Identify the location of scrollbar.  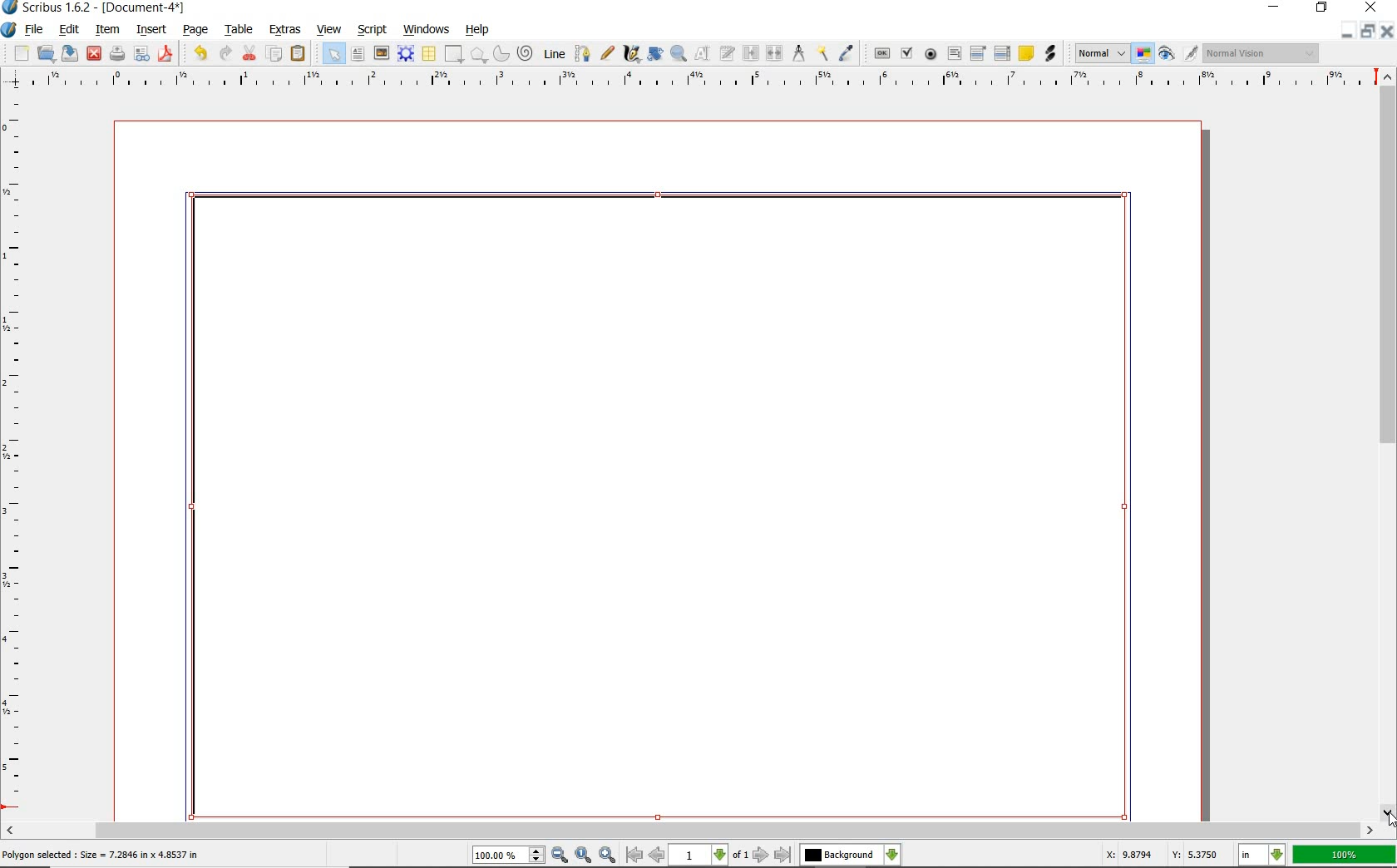
(1387, 445).